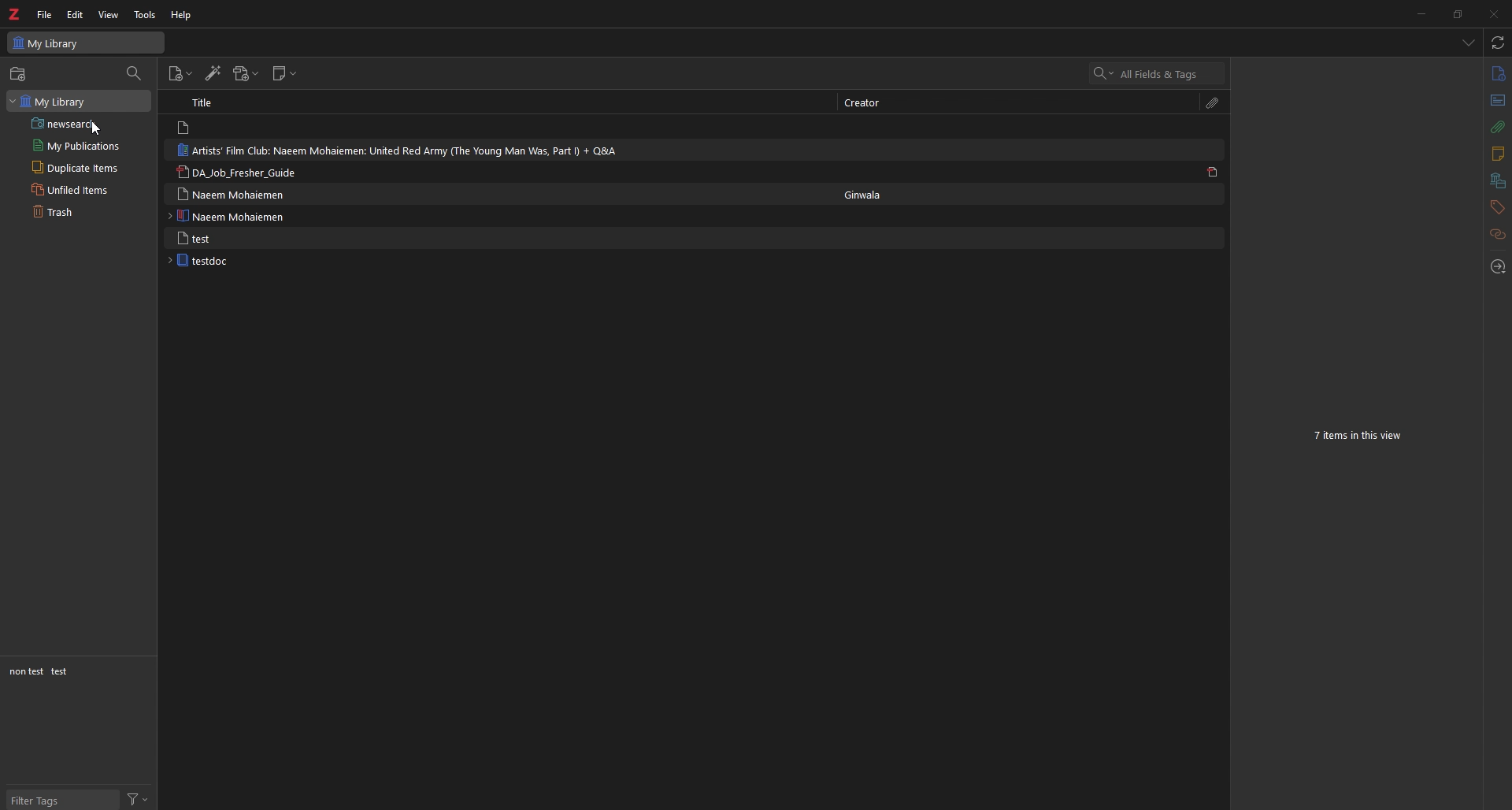 This screenshot has height=810, width=1512. What do you see at coordinates (184, 128) in the screenshot?
I see `Document` at bounding box center [184, 128].